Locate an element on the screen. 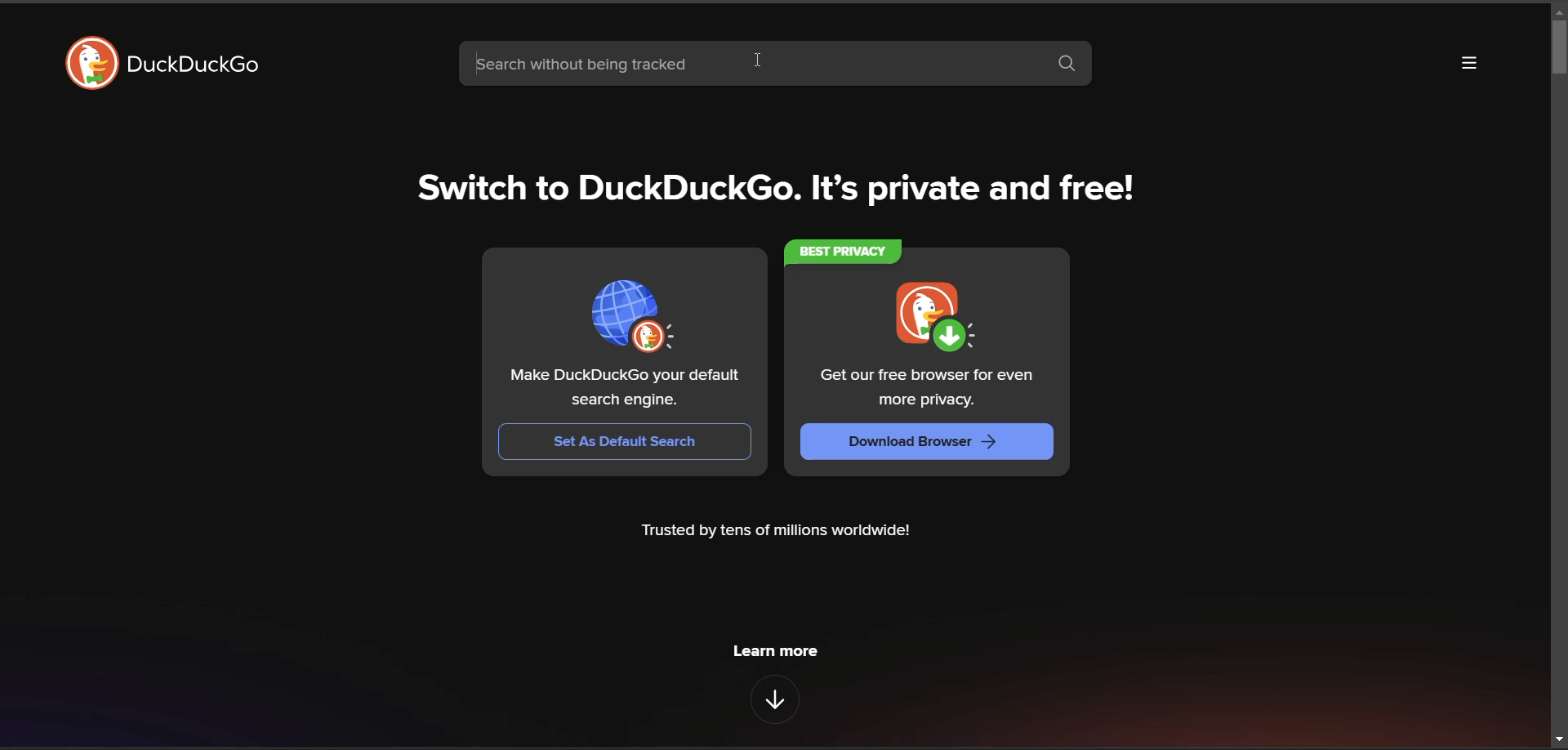 This screenshot has width=1568, height=750. downloader image is located at coordinates (931, 314).